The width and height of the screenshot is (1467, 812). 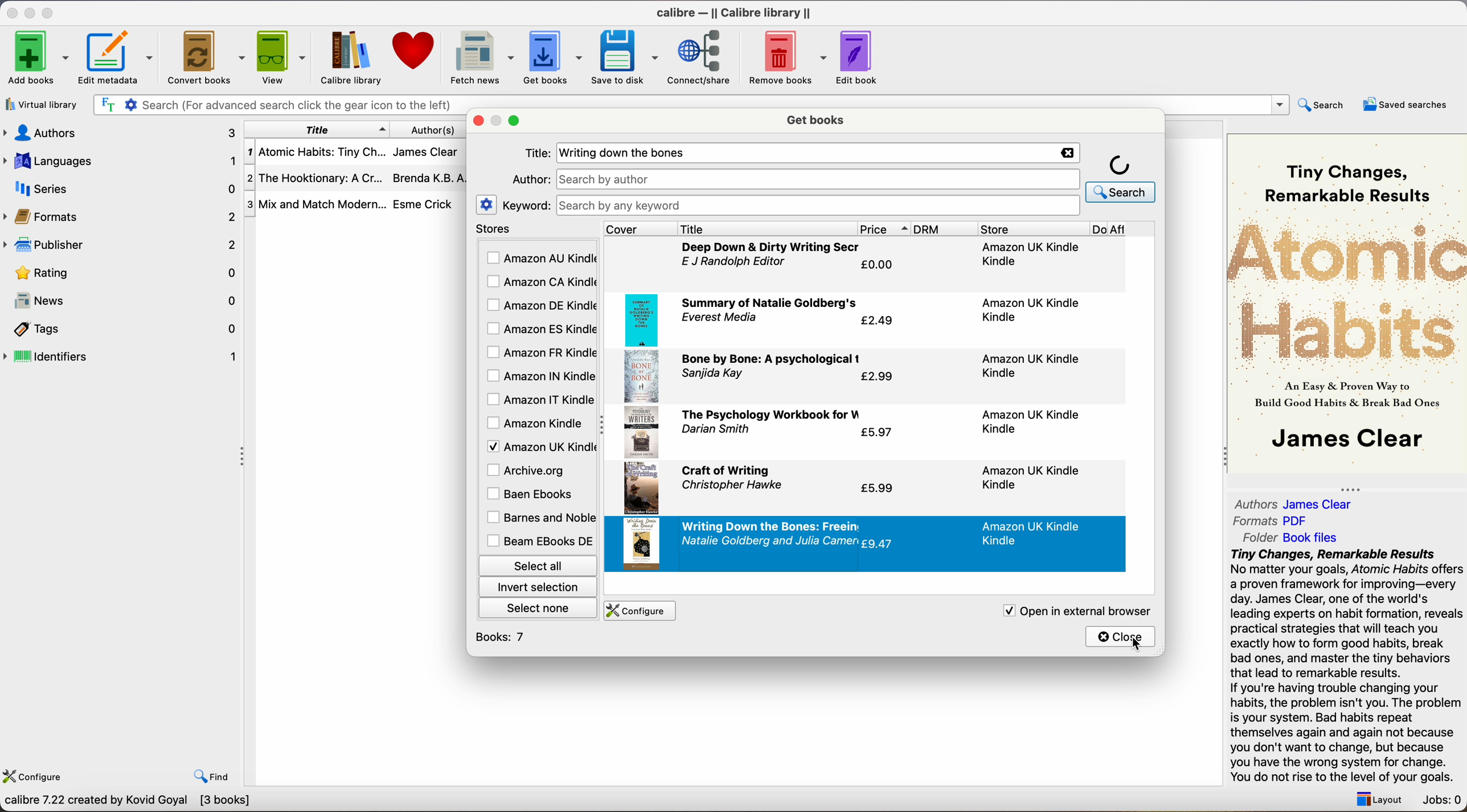 What do you see at coordinates (641, 376) in the screenshot?
I see `book icon` at bounding box center [641, 376].